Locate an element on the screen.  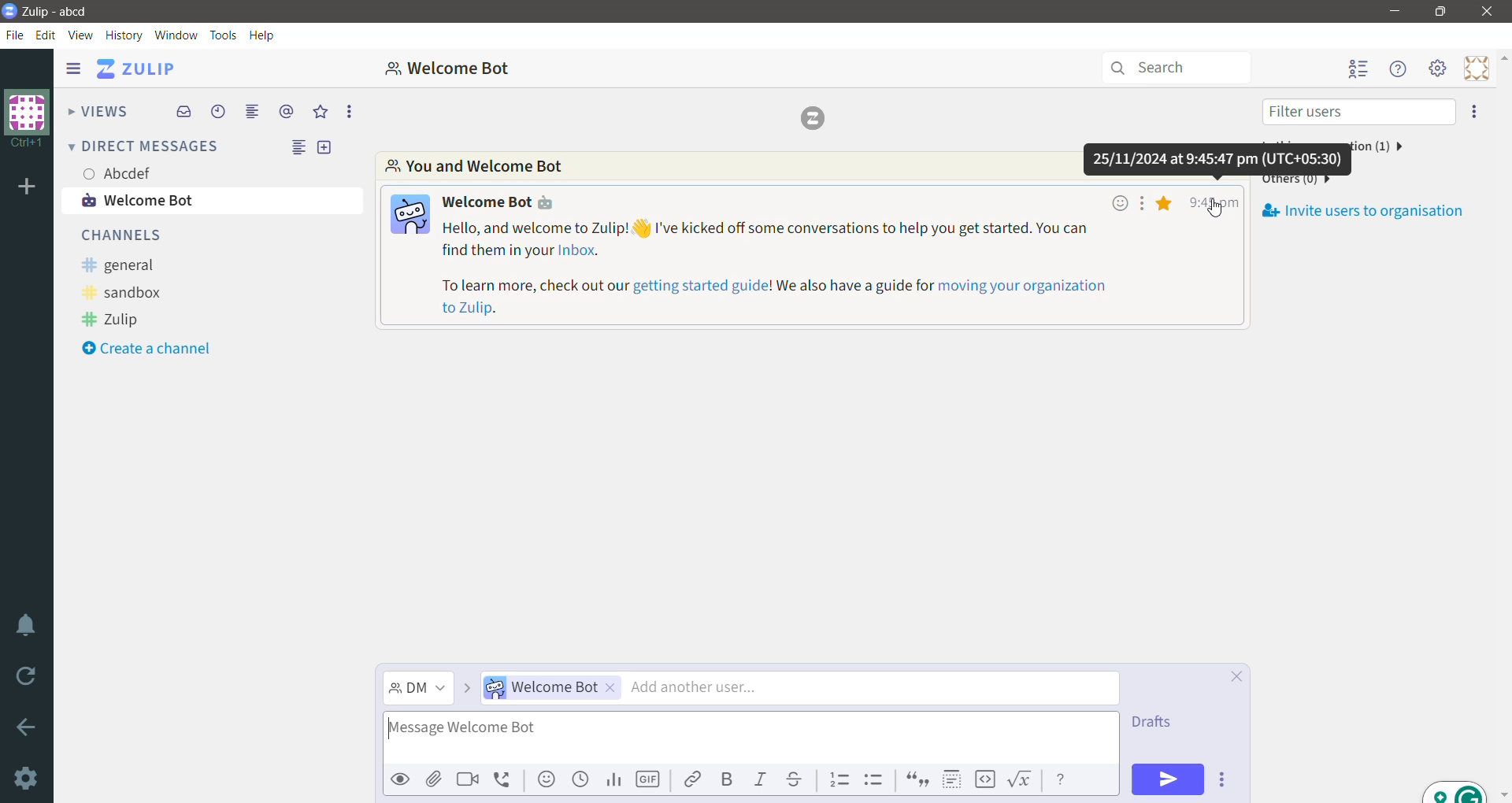
Search is located at coordinates (1176, 67).